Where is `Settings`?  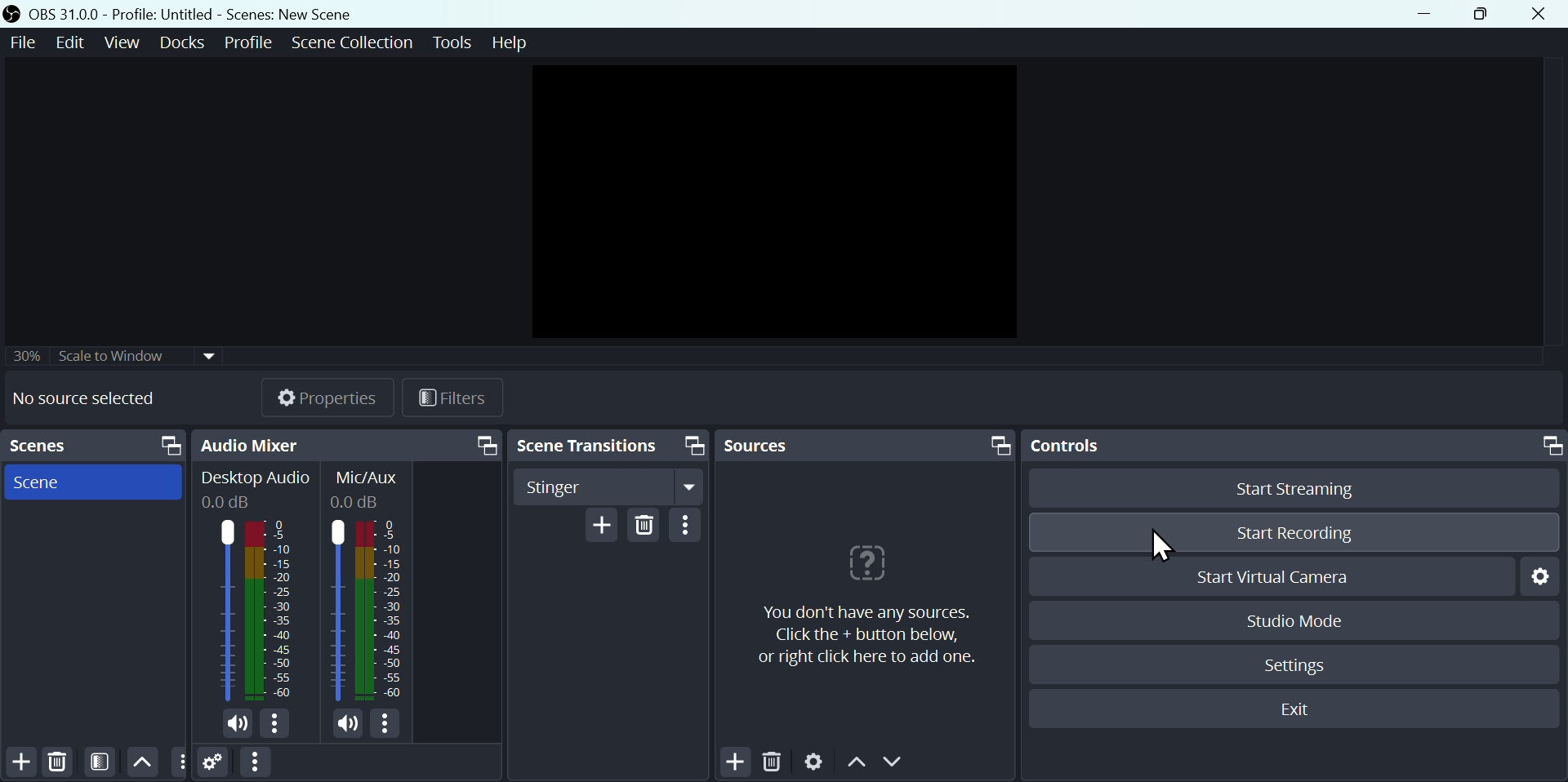 Settings is located at coordinates (1298, 664).